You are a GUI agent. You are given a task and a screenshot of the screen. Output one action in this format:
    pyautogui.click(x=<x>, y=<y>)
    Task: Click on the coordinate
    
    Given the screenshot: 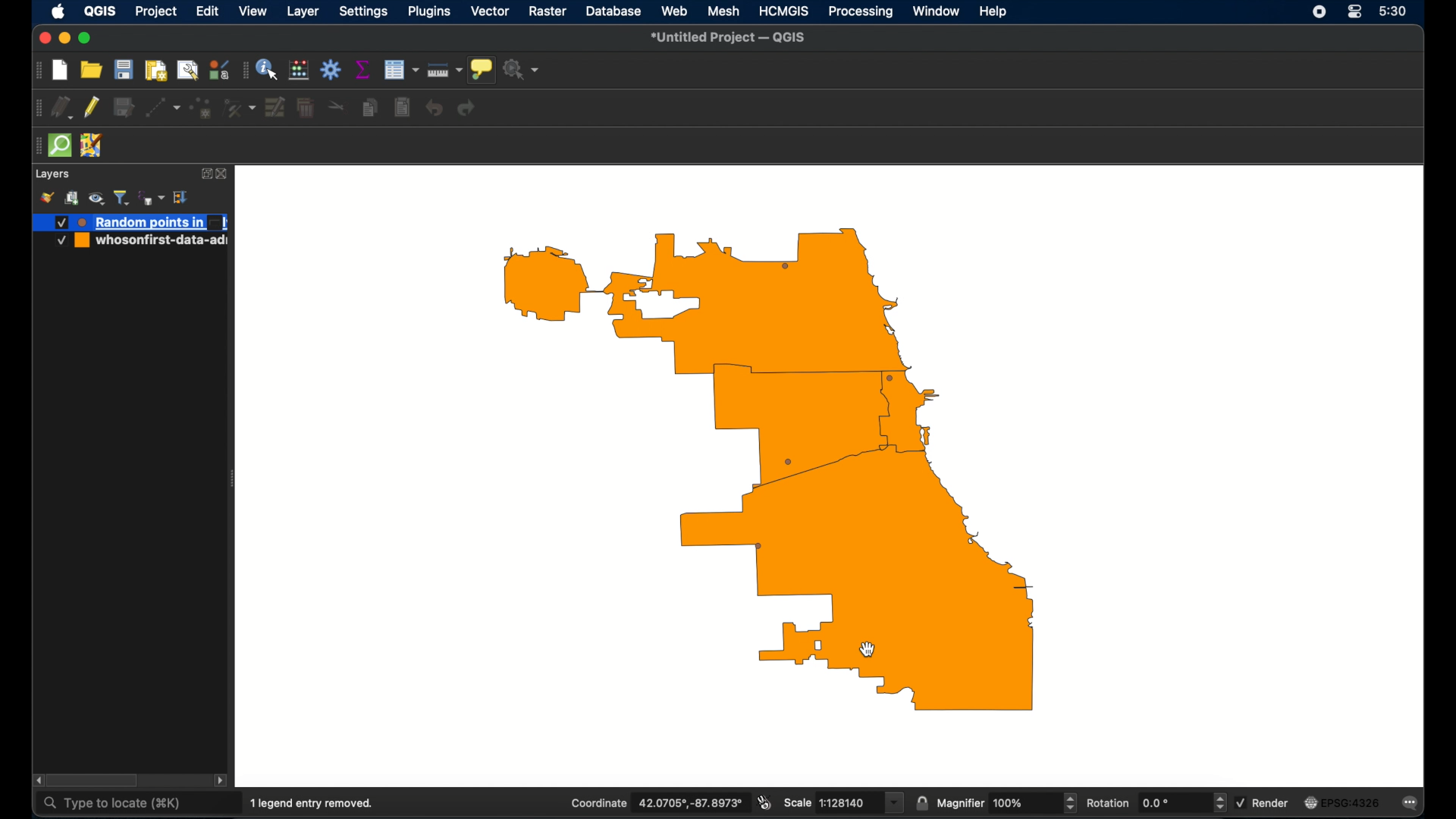 What is the action you would take?
    pyautogui.click(x=657, y=802)
    